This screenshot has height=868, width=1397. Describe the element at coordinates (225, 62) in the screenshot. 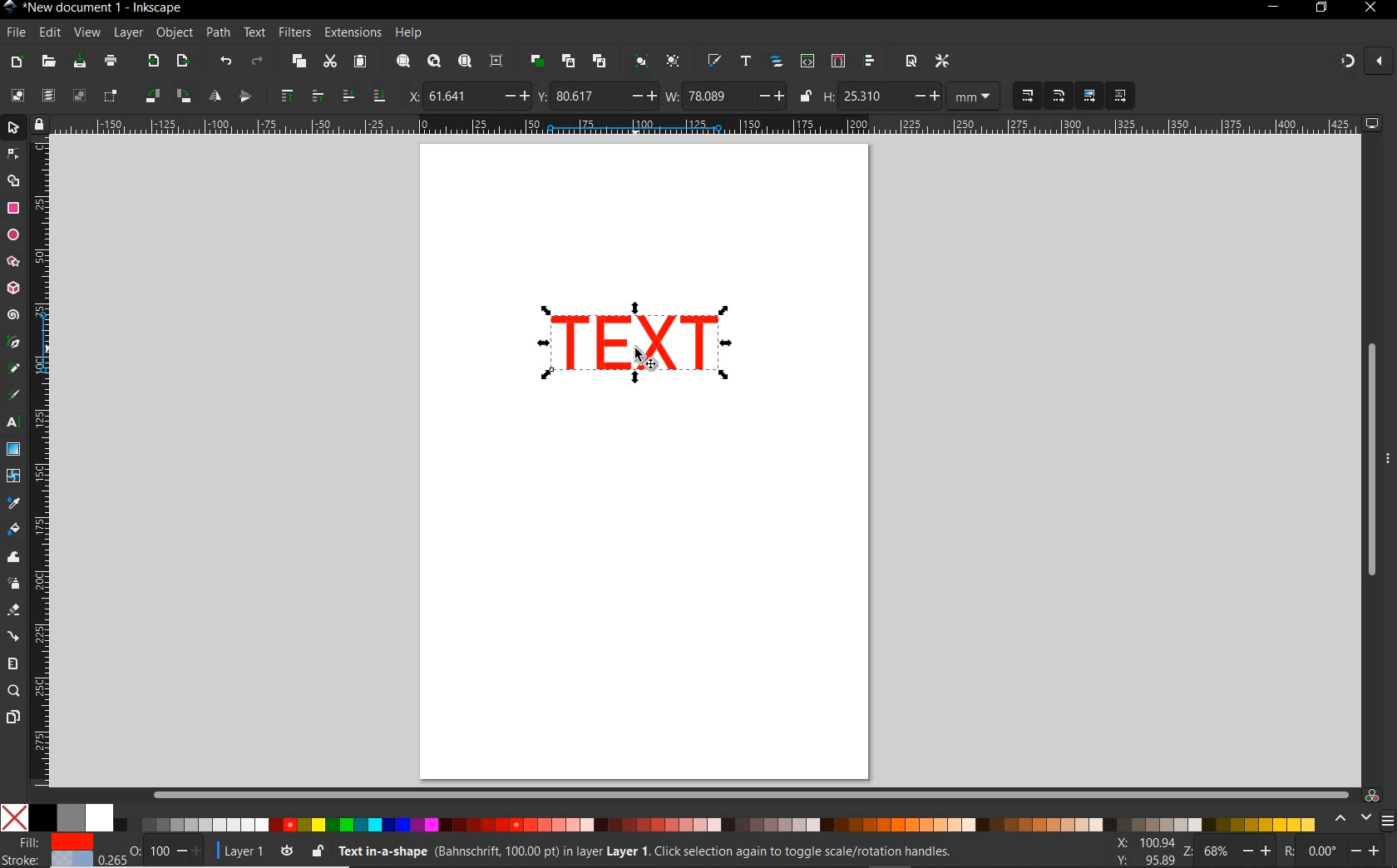

I see `undo` at that location.